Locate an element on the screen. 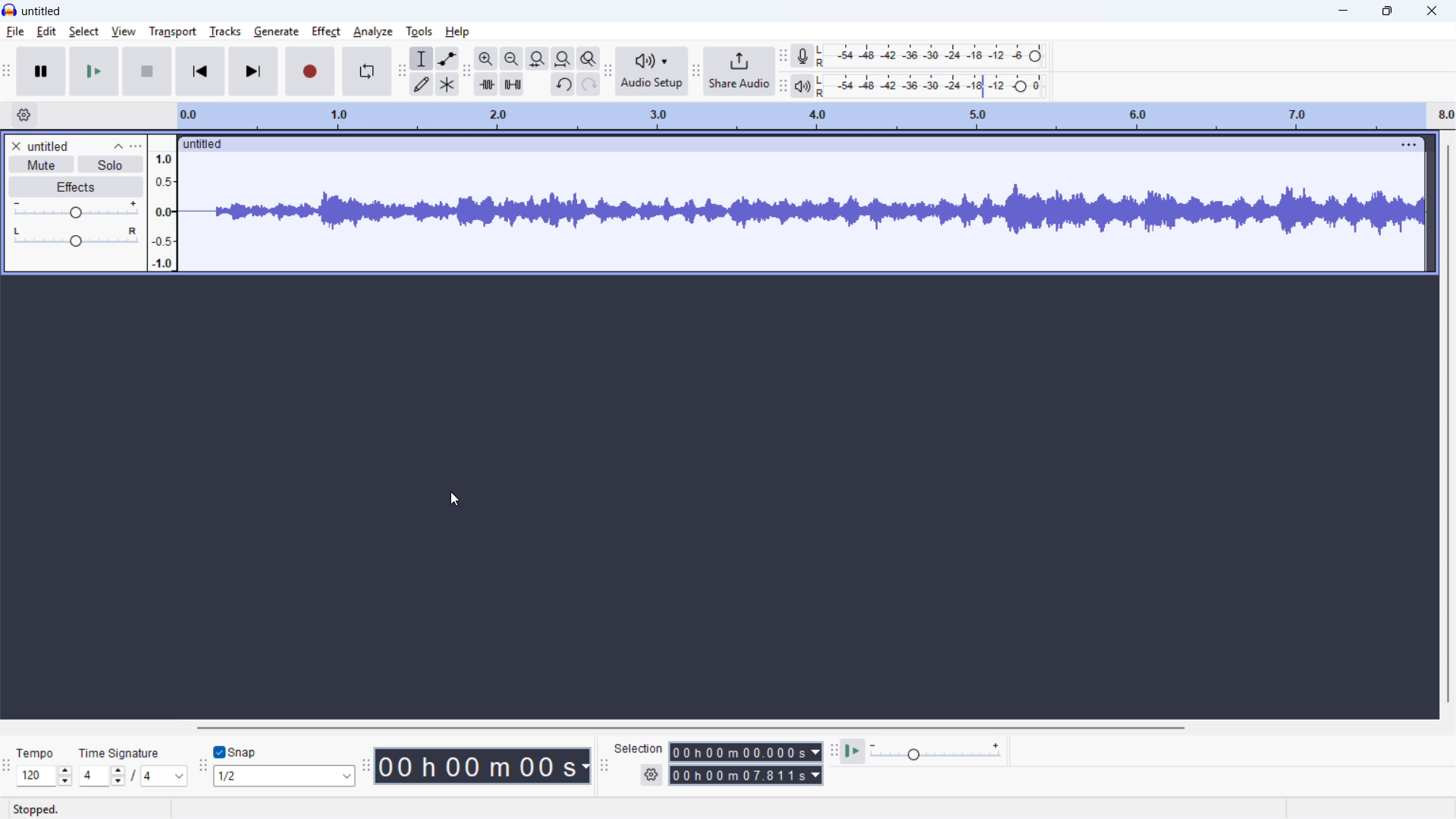  help is located at coordinates (457, 32).